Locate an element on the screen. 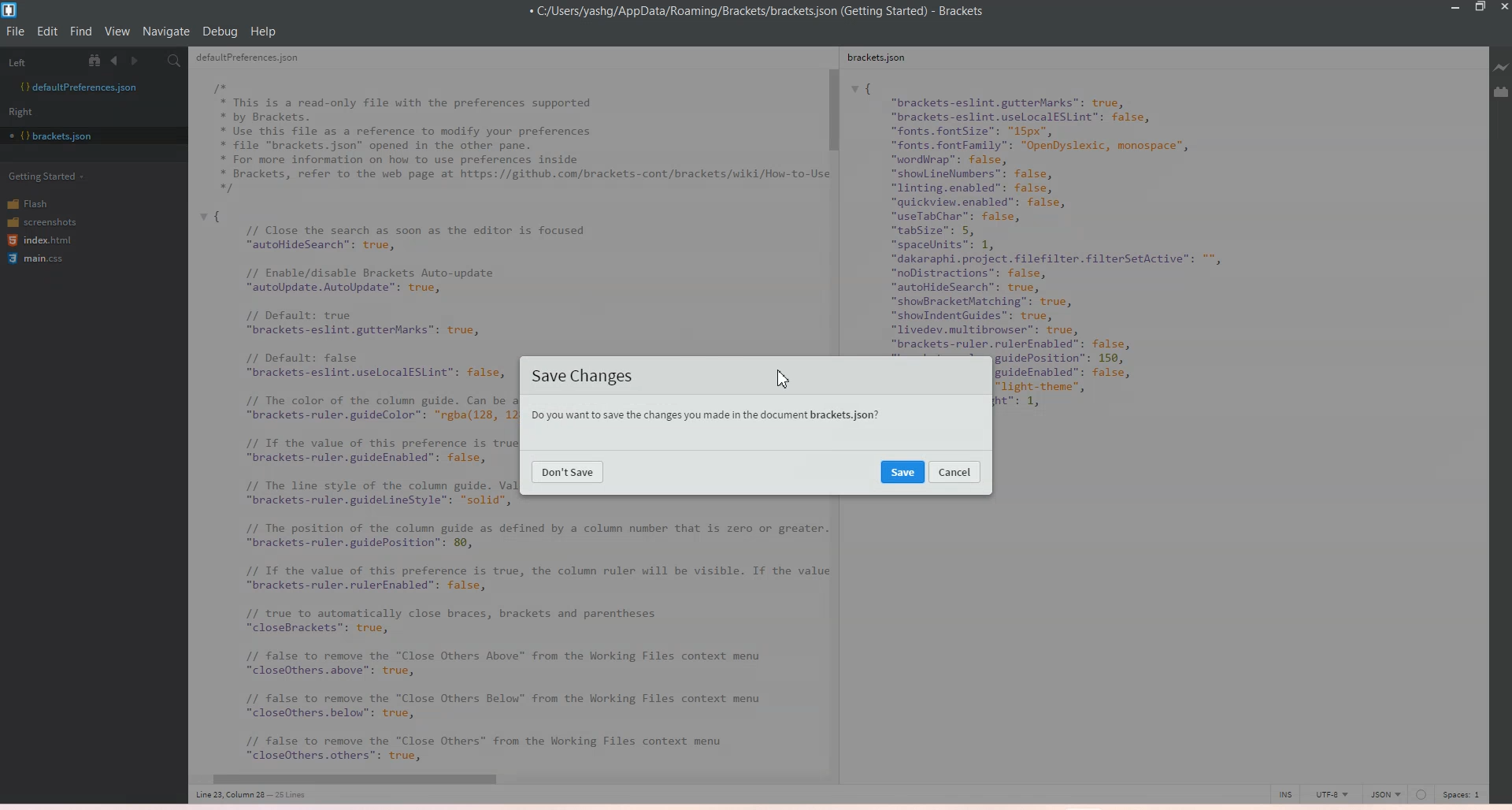  Find is located at coordinates (82, 32).